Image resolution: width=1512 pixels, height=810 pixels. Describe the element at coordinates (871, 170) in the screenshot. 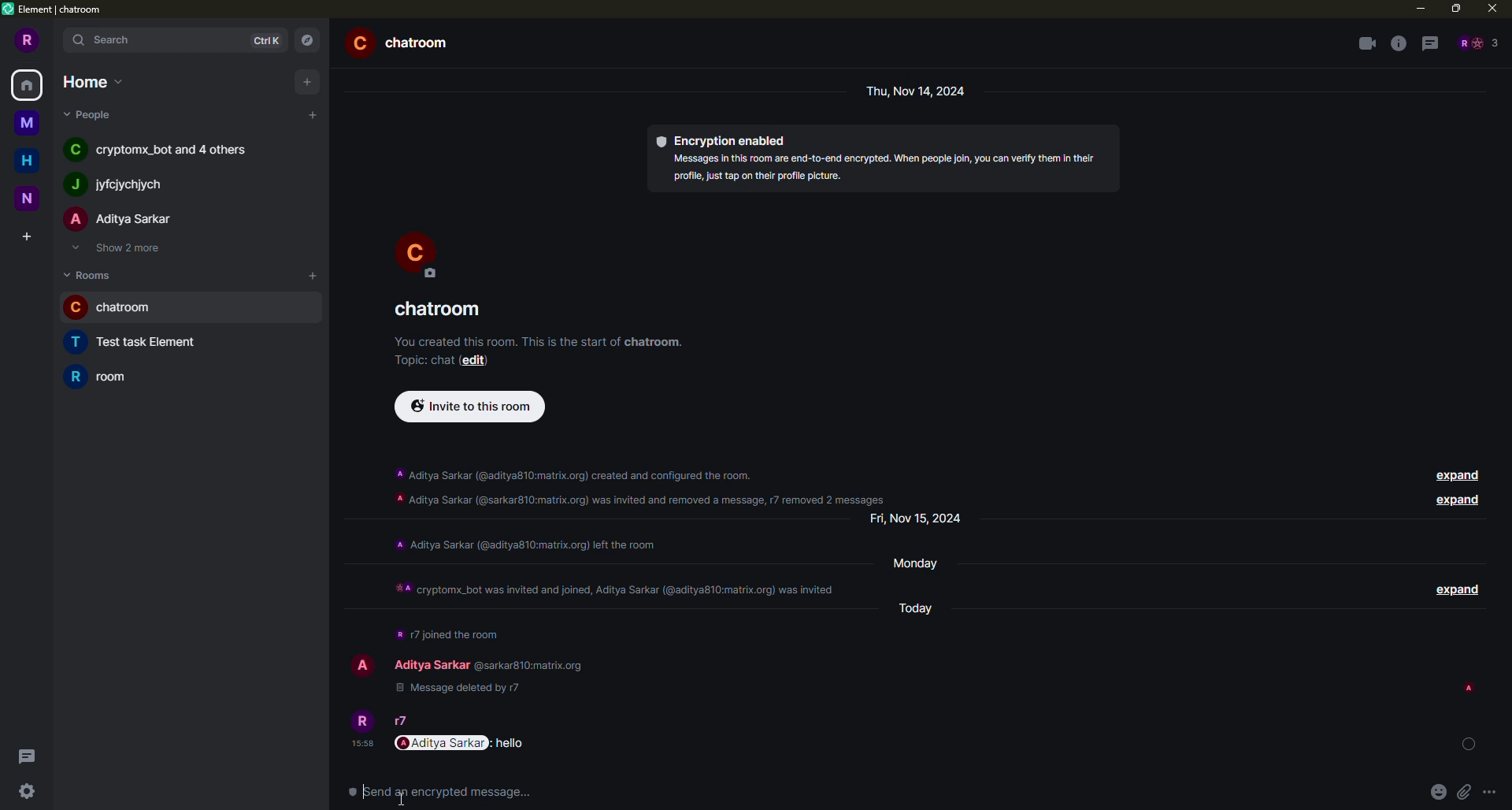

I see `info` at that location.